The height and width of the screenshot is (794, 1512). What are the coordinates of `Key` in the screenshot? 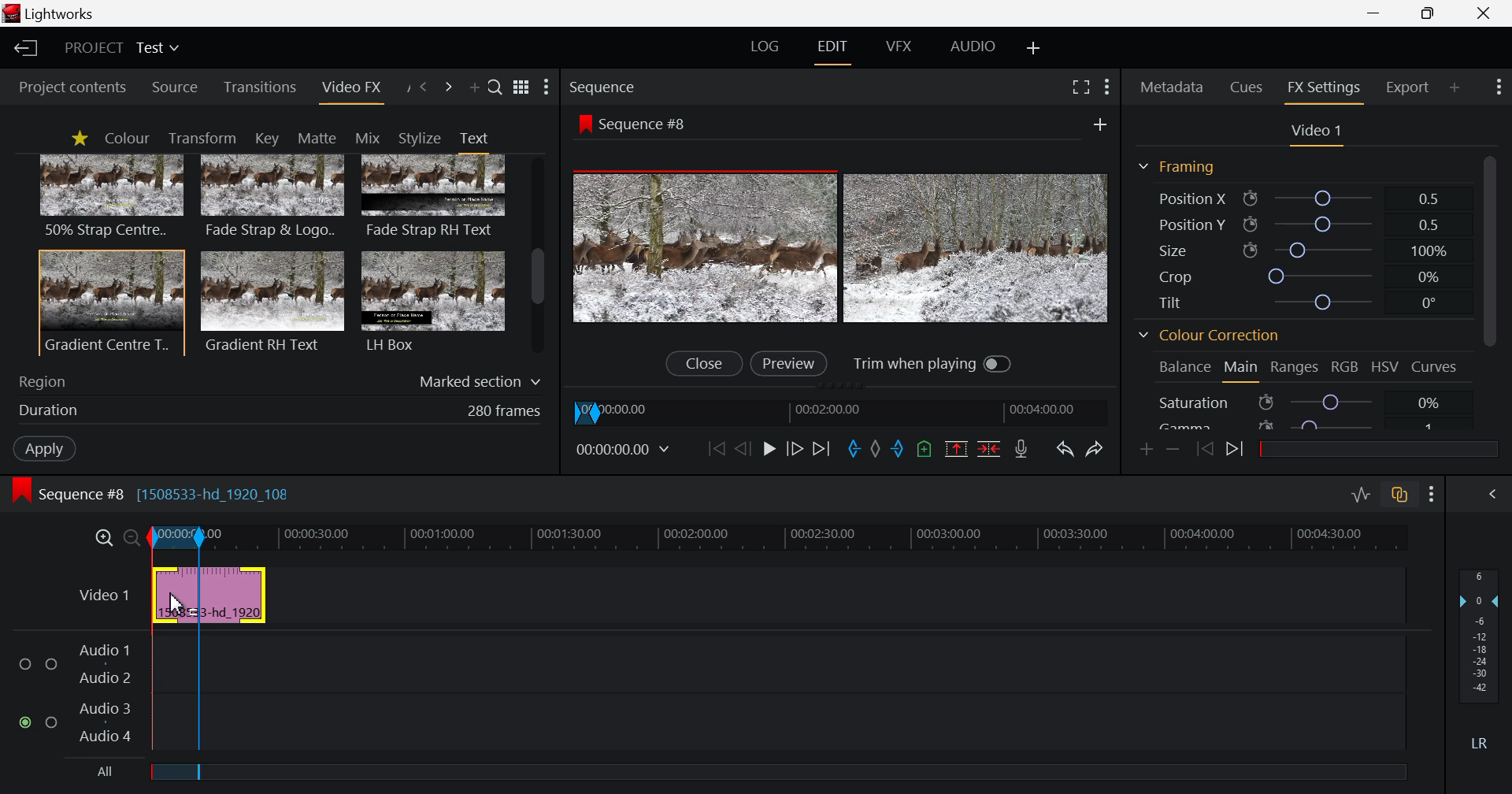 It's located at (265, 139).